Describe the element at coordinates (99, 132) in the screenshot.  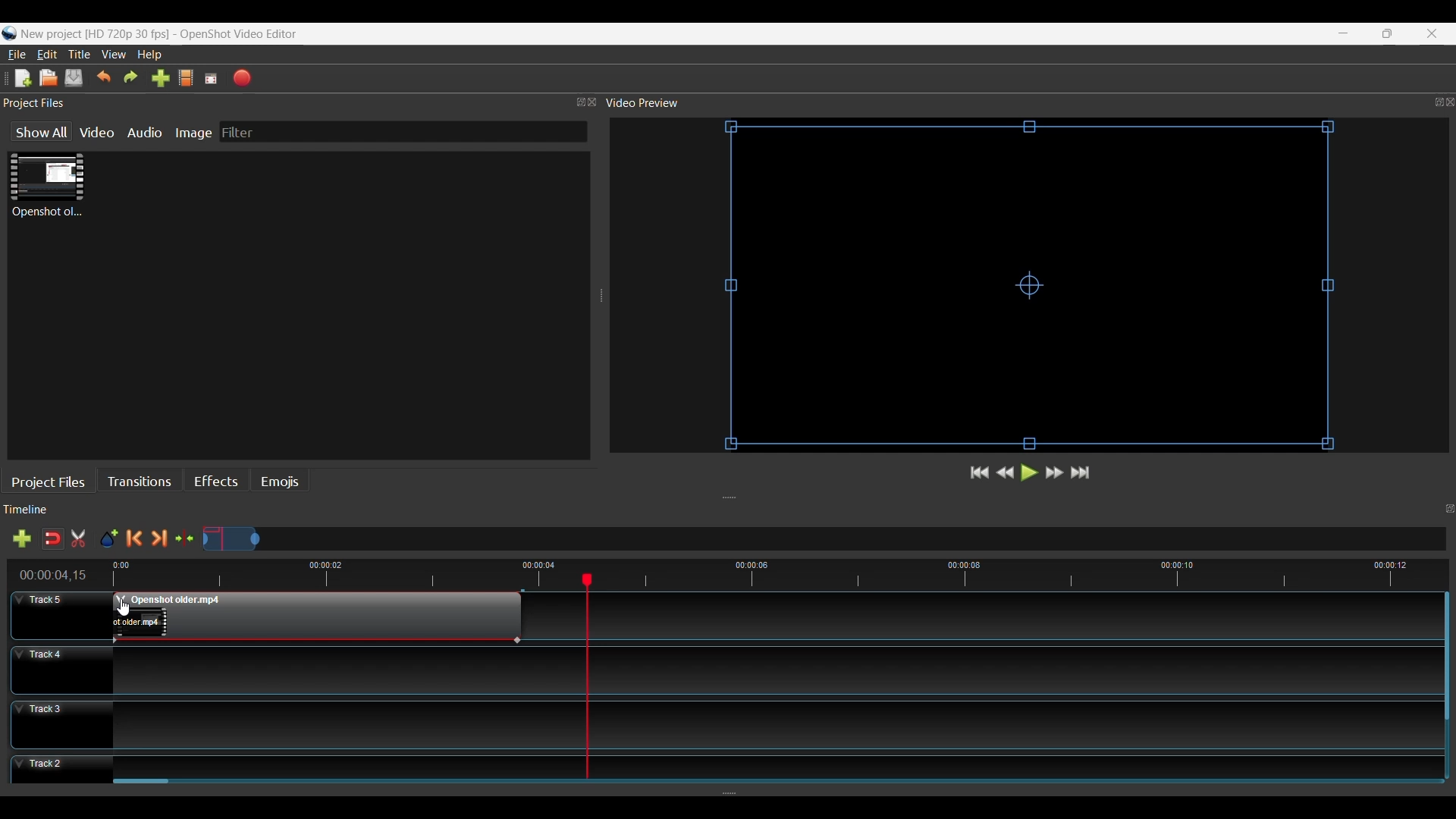
I see `Video` at that location.